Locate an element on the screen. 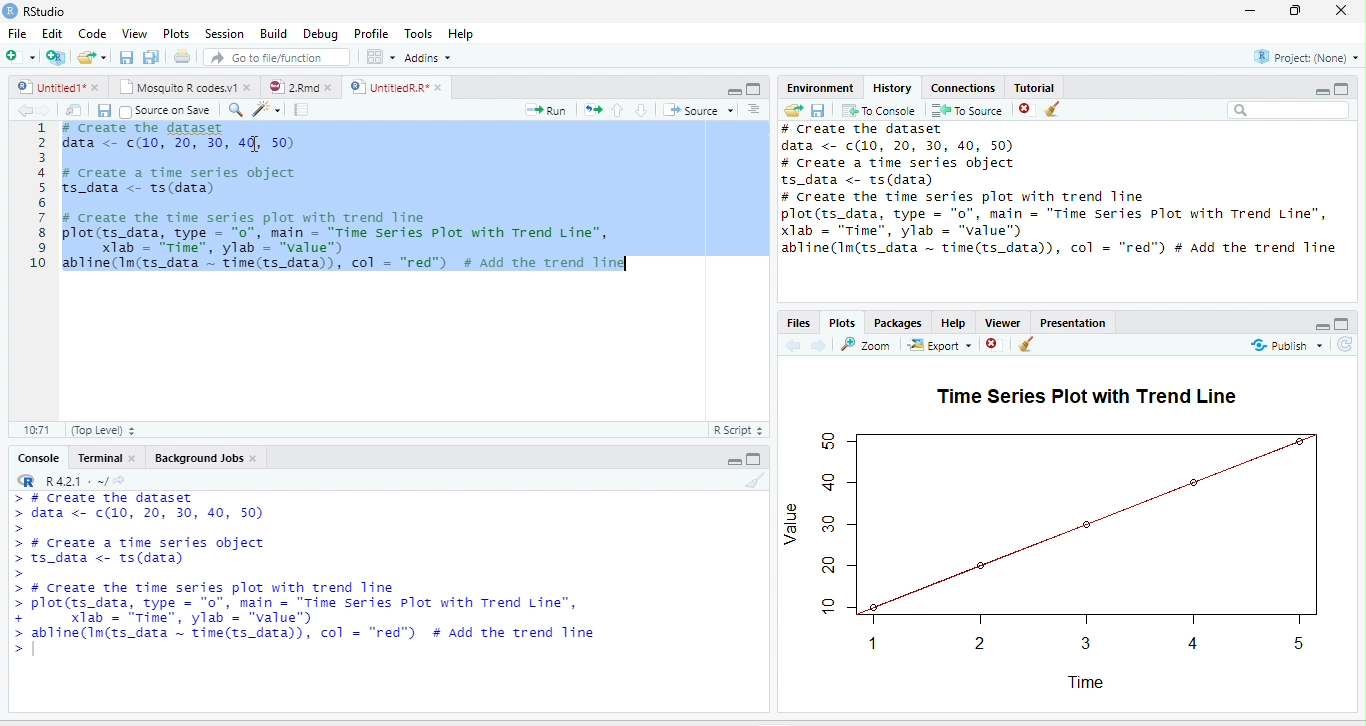  Clear console is located at coordinates (756, 480).